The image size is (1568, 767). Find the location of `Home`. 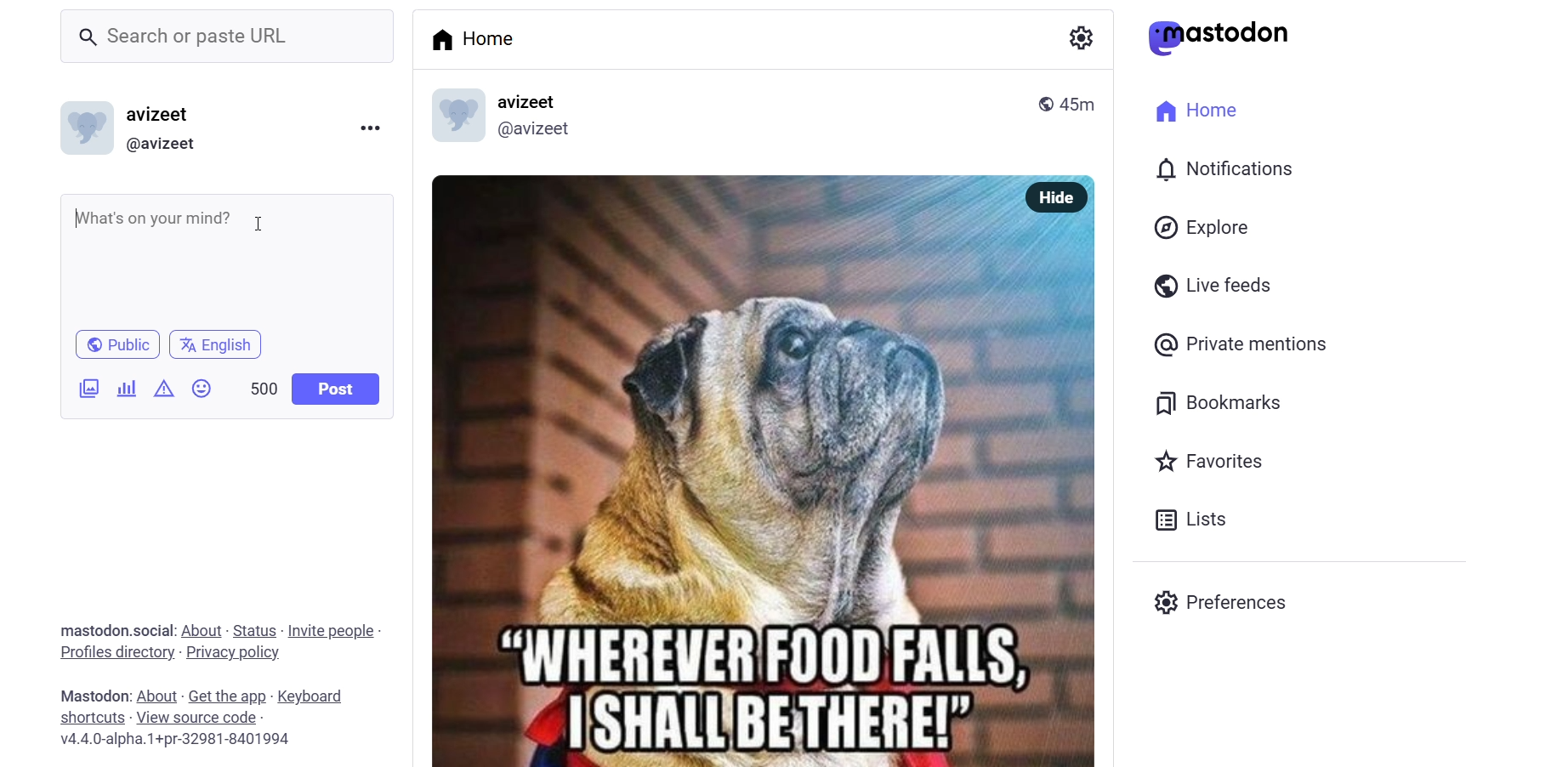

Home is located at coordinates (477, 41).